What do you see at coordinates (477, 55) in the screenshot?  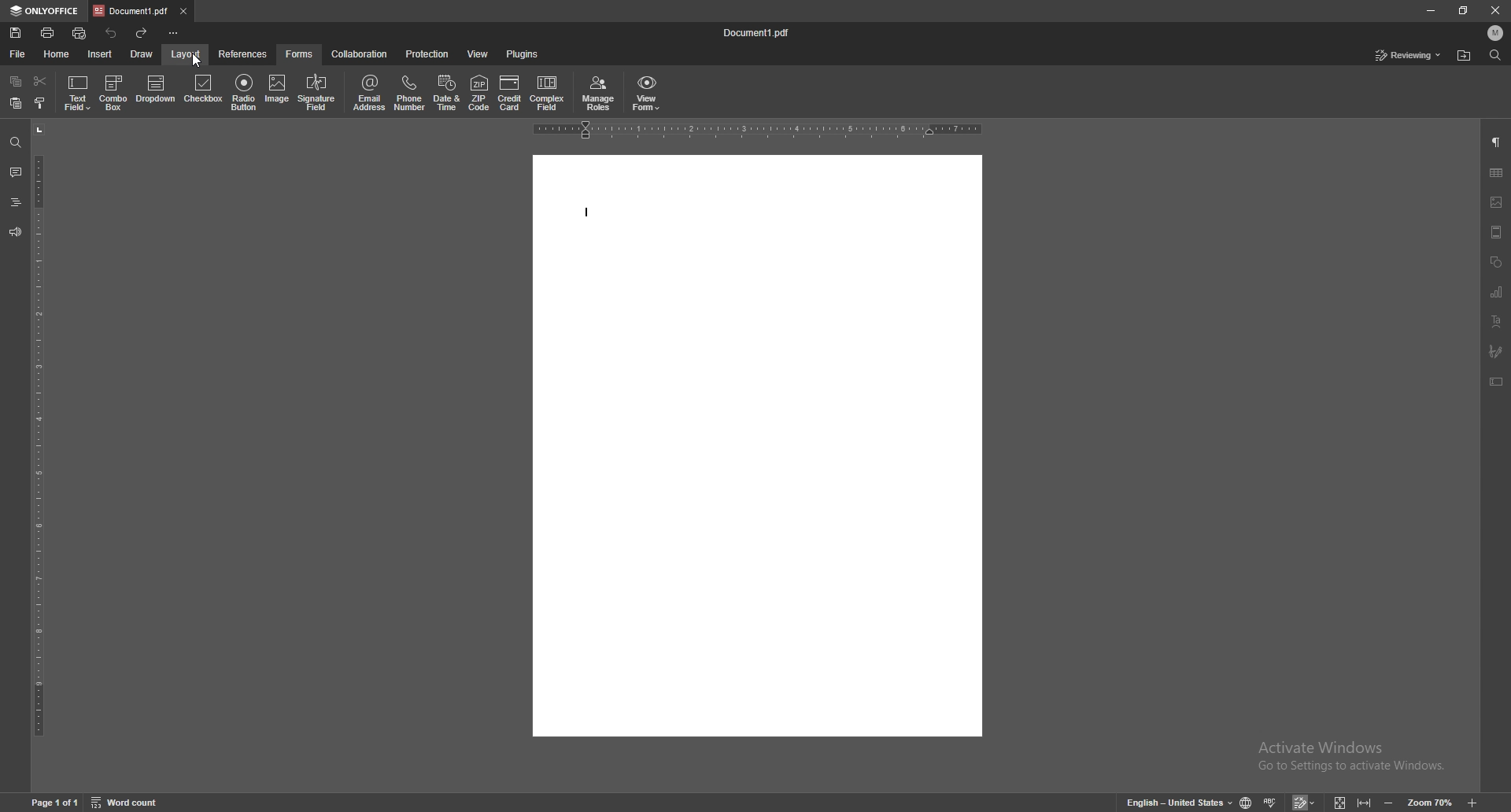 I see `view` at bounding box center [477, 55].